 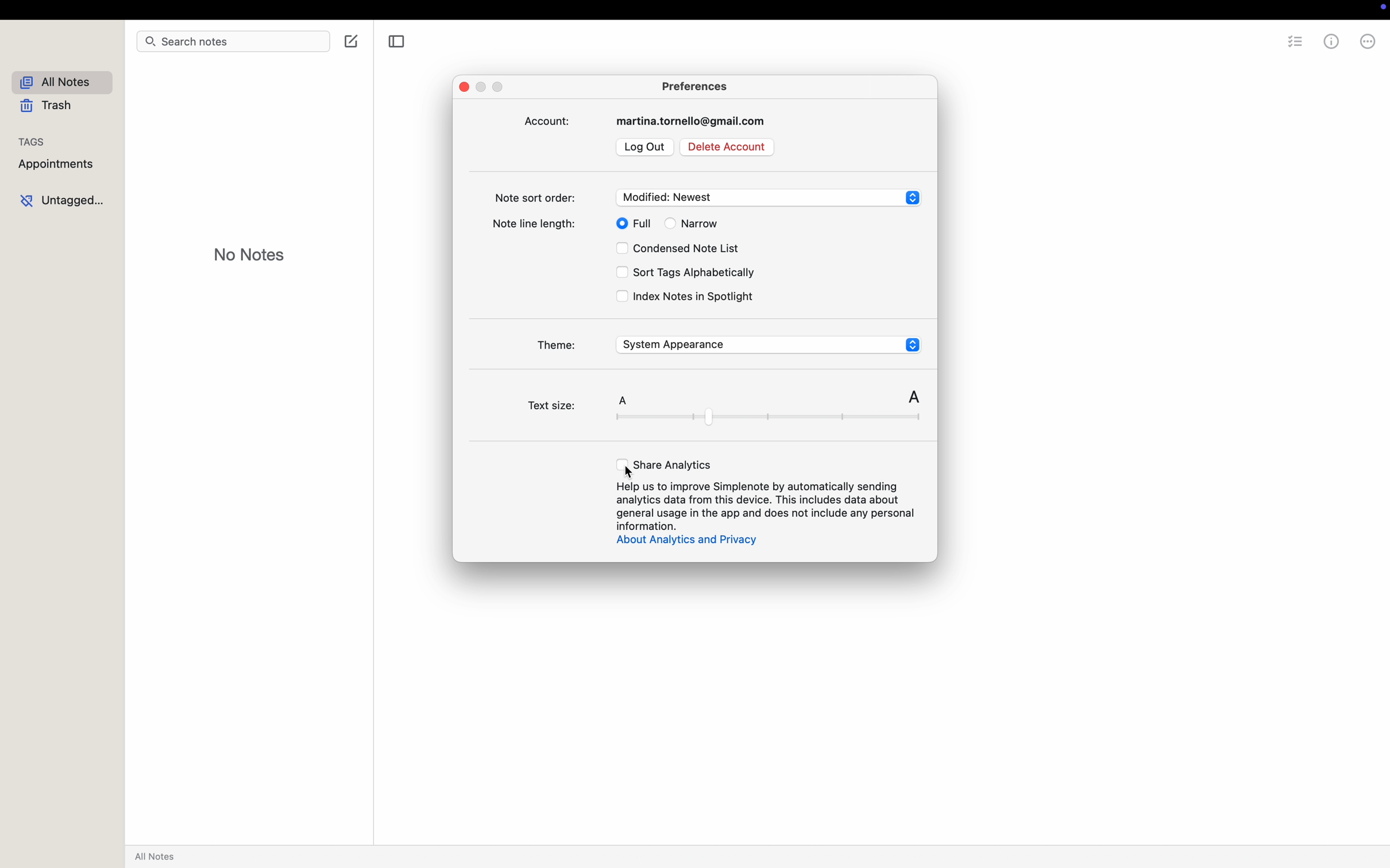 I want to click on narrow, so click(x=696, y=223).